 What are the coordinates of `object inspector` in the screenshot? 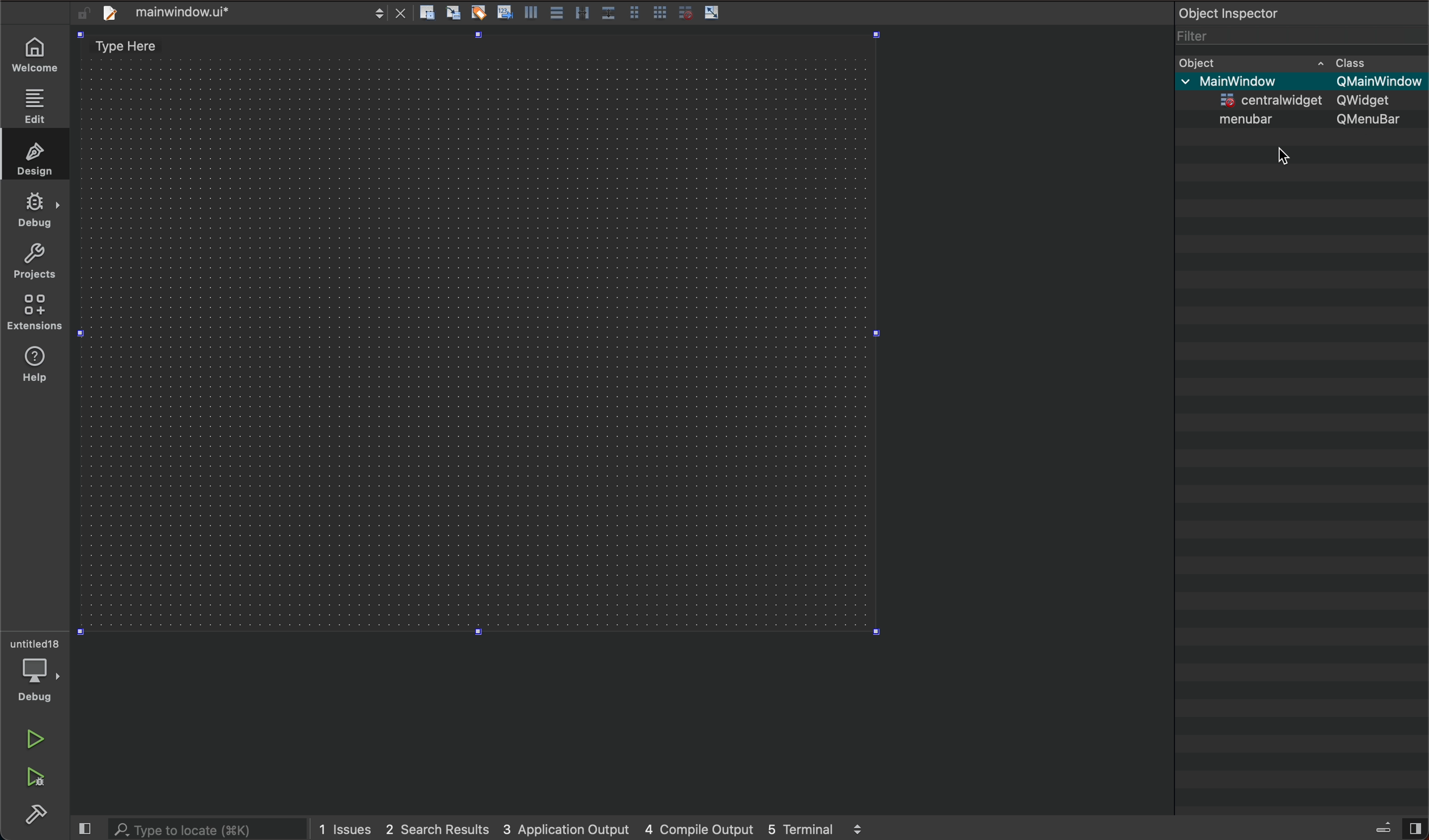 It's located at (1300, 12).